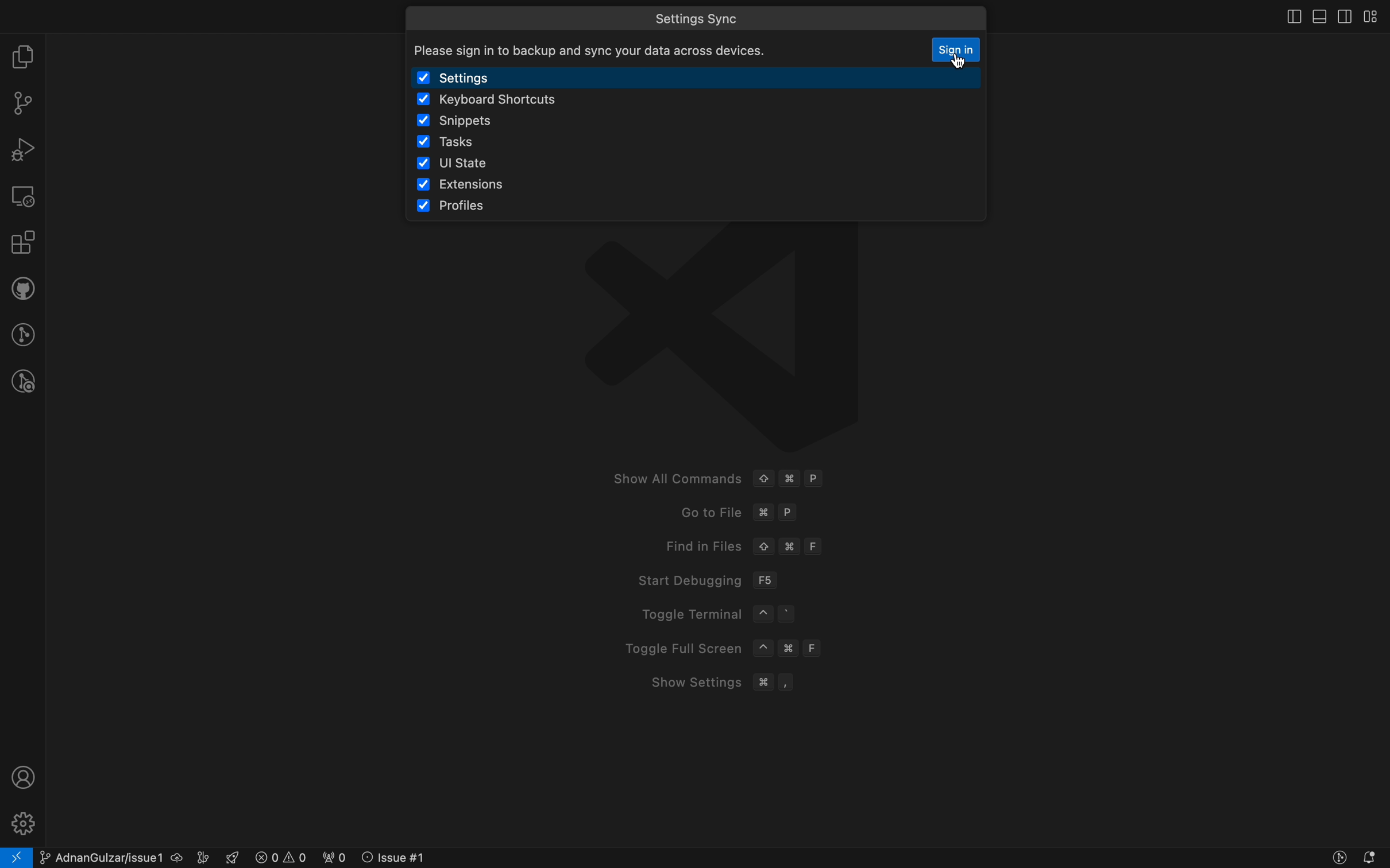  Describe the element at coordinates (22, 289) in the screenshot. I see `github pull request and issues` at that location.